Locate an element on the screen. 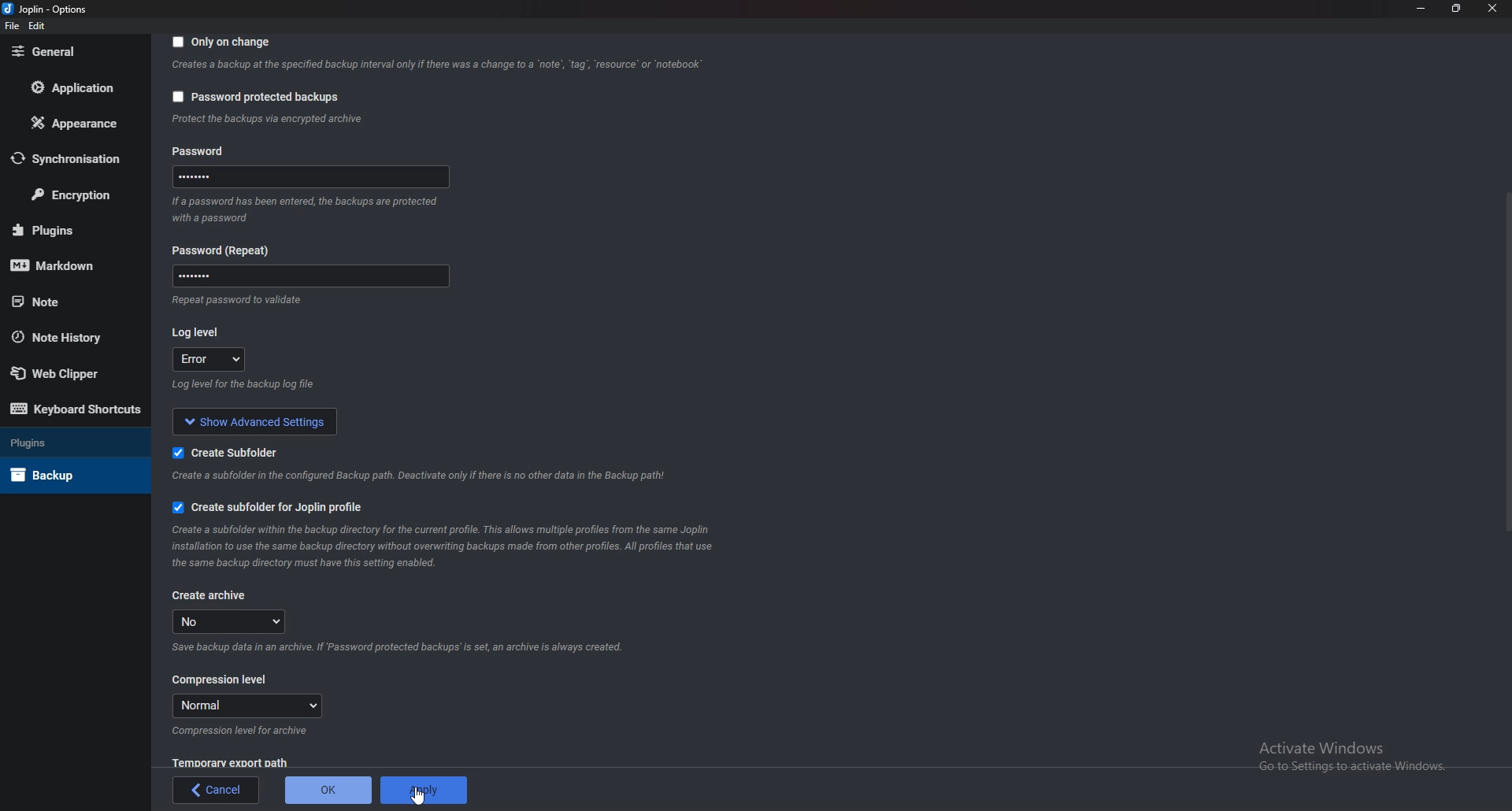 The image size is (1512, 811). create archive is located at coordinates (210, 595).